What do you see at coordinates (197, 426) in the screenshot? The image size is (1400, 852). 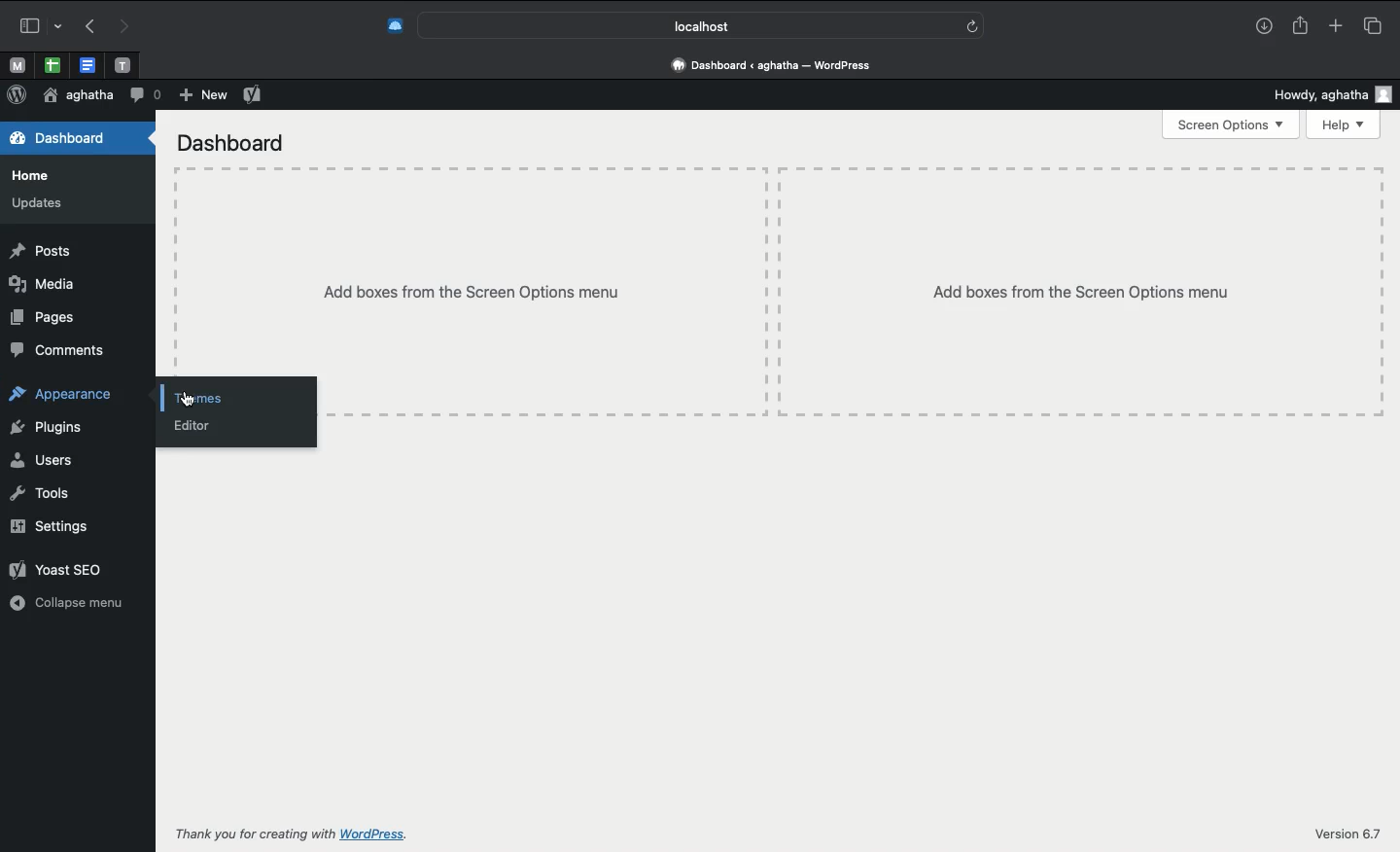 I see `Editor` at bounding box center [197, 426].